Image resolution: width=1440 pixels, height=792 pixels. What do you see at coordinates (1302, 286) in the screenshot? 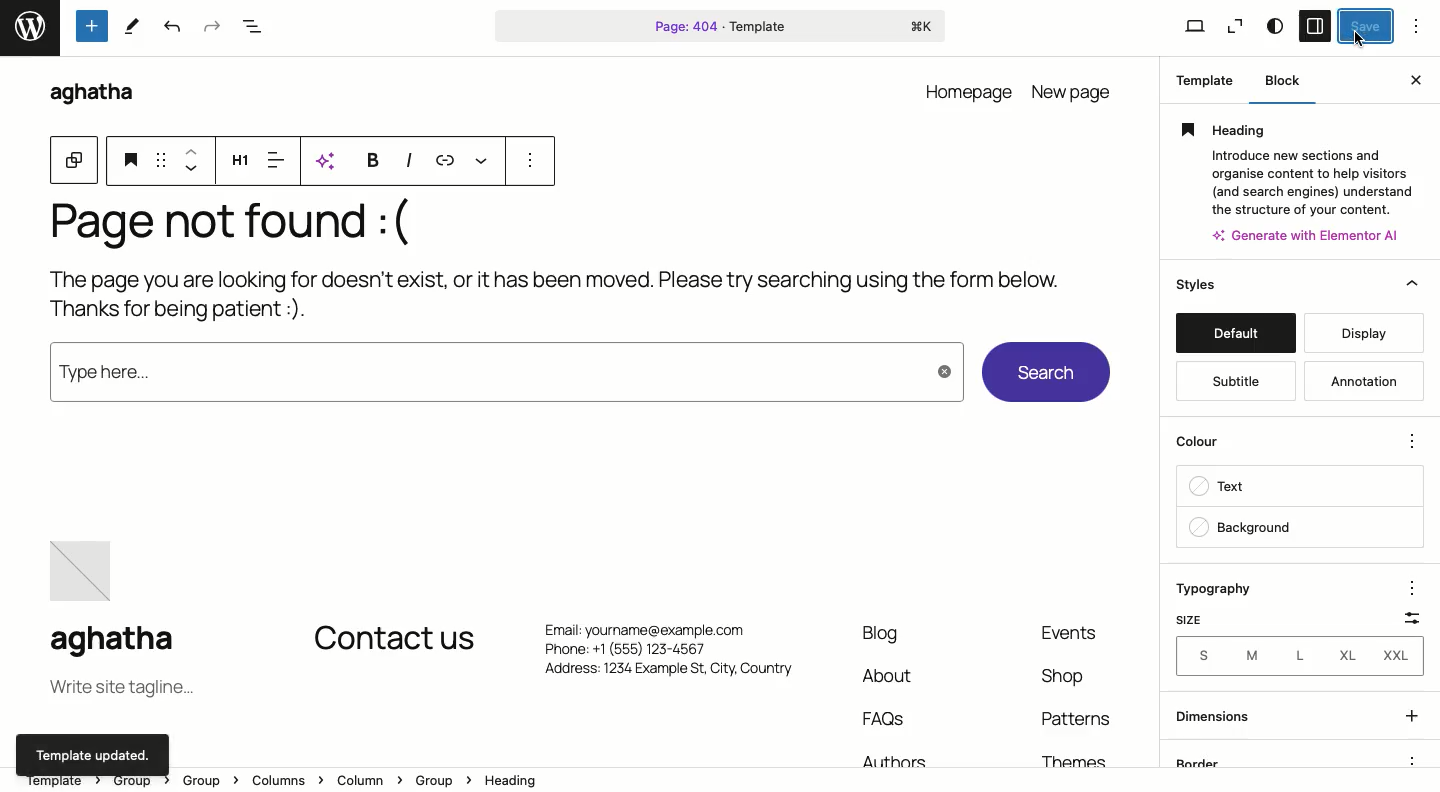
I see `Styles` at bounding box center [1302, 286].